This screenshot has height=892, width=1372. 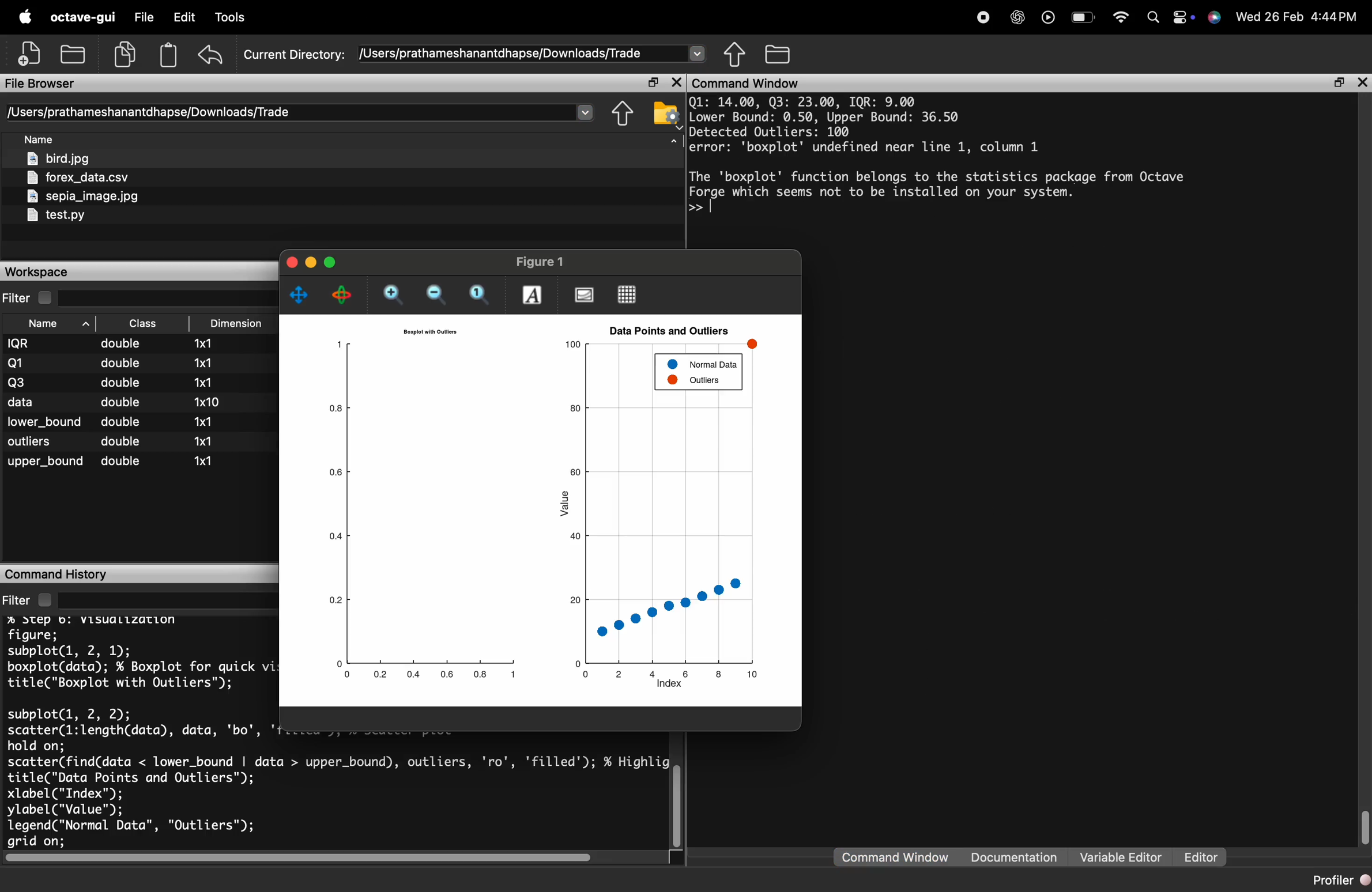 What do you see at coordinates (168, 55) in the screenshot?
I see `clipboard` at bounding box center [168, 55].